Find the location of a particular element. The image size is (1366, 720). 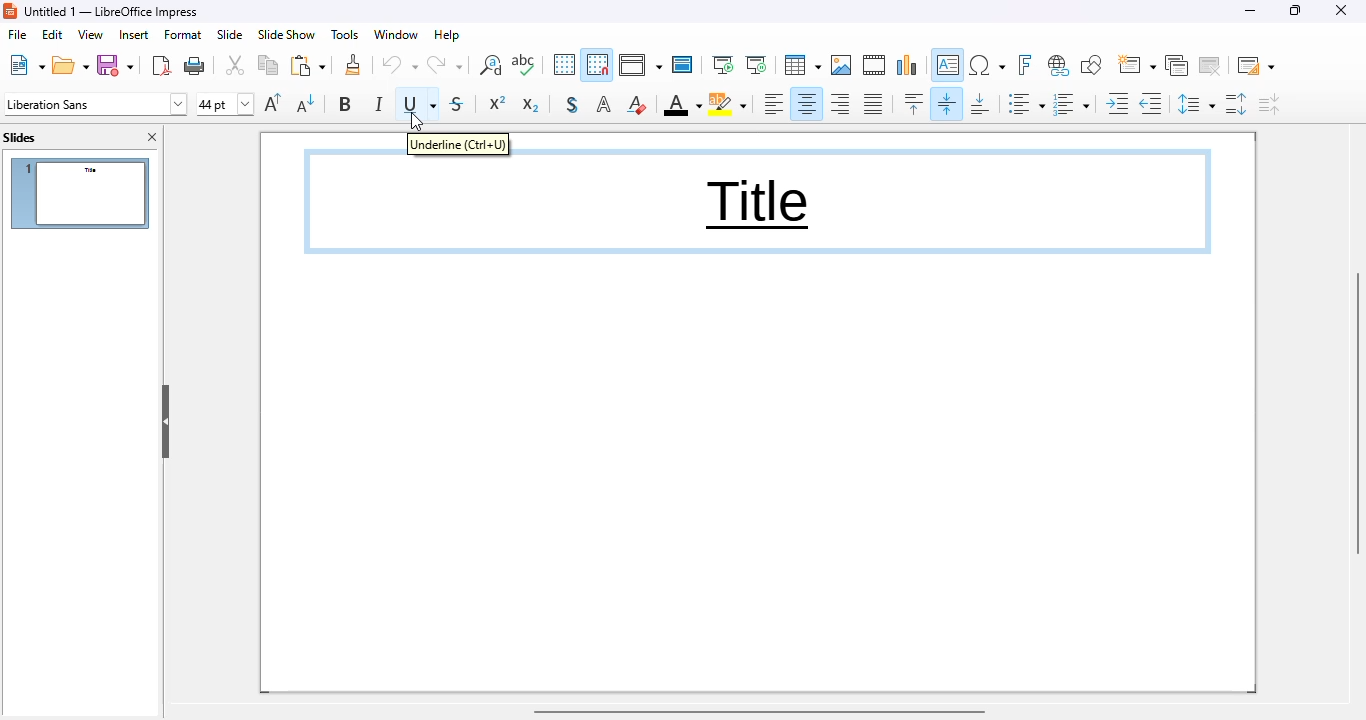

insert is located at coordinates (134, 35).